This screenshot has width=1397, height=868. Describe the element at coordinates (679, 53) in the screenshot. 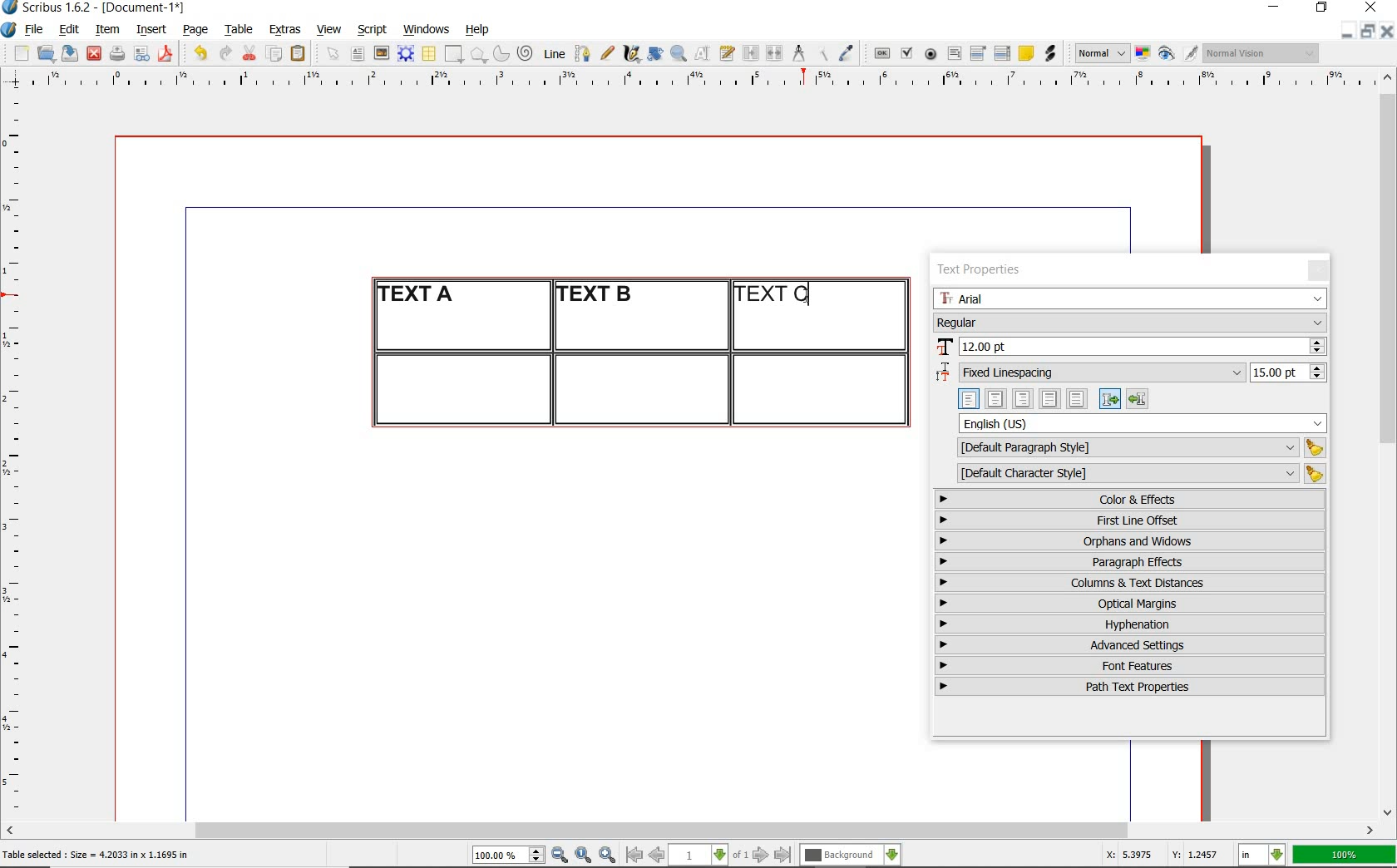

I see `zoom in or zoom out` at that location.